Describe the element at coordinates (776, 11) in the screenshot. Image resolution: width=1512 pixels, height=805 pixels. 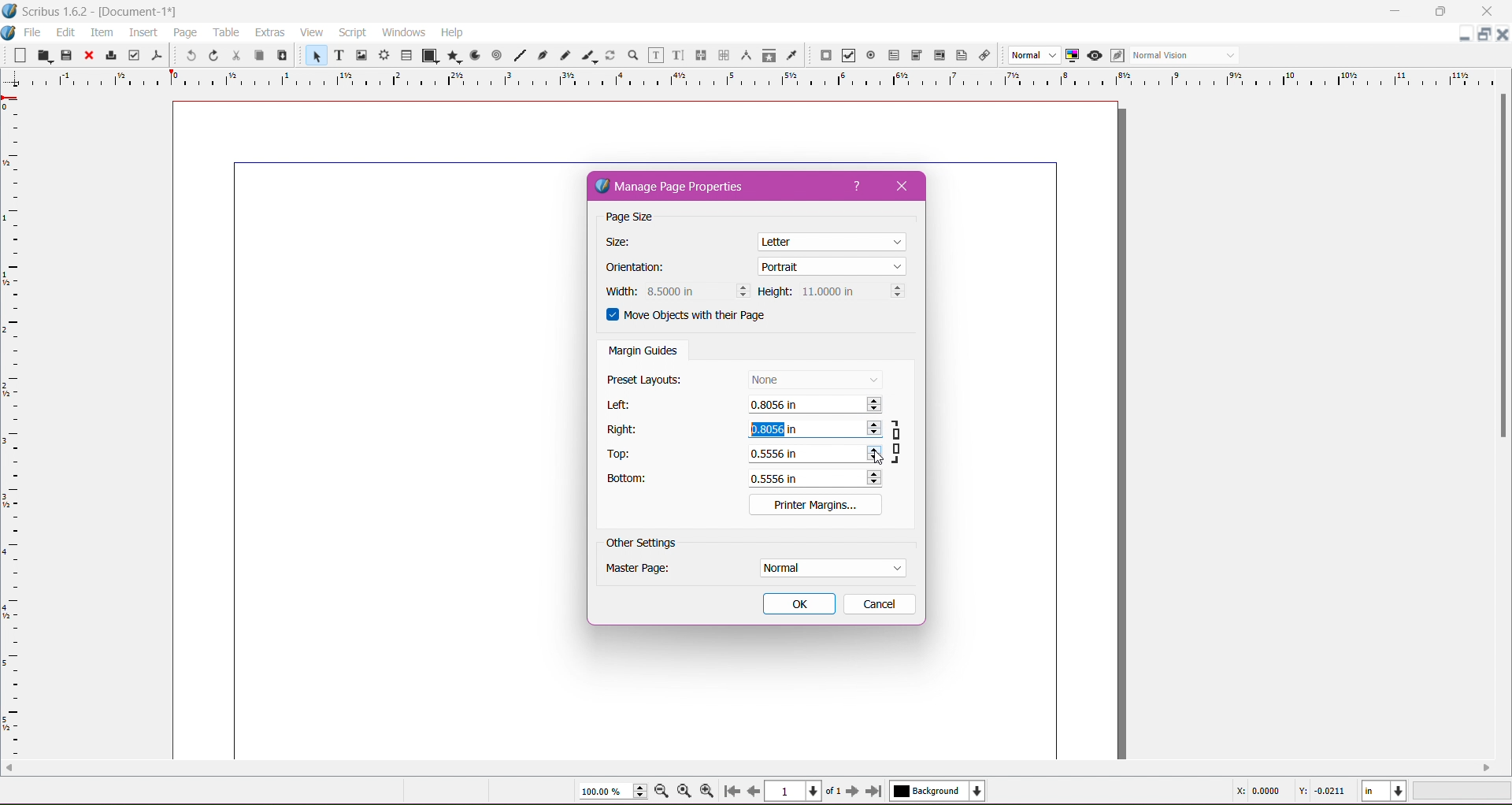
I see `Title Bar color change on click` at that location.